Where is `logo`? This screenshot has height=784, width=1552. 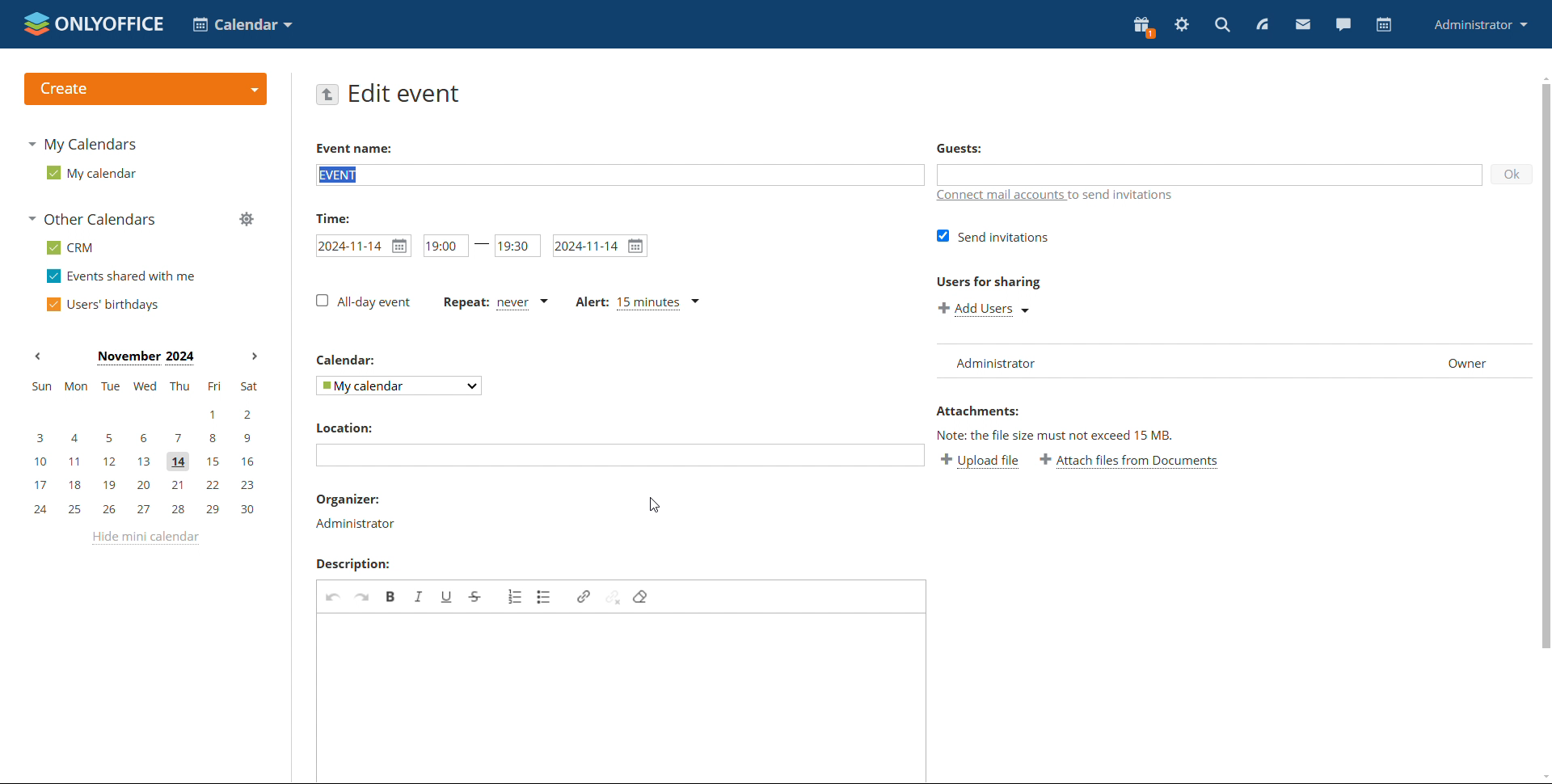 logo is located at coordinates (94, 24).